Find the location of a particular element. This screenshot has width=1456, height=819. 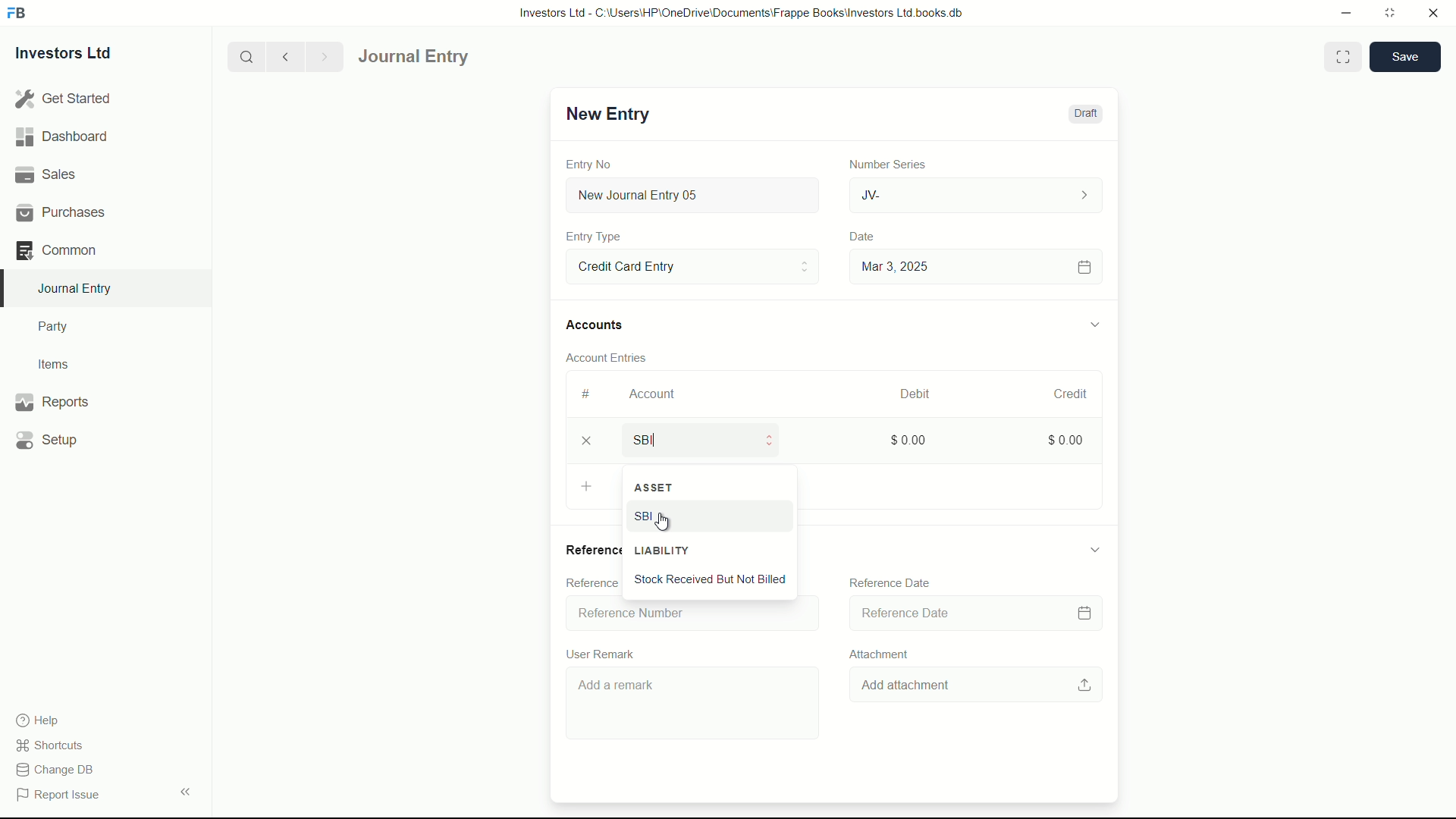

Reference Number is located at coordinates (590, 583).